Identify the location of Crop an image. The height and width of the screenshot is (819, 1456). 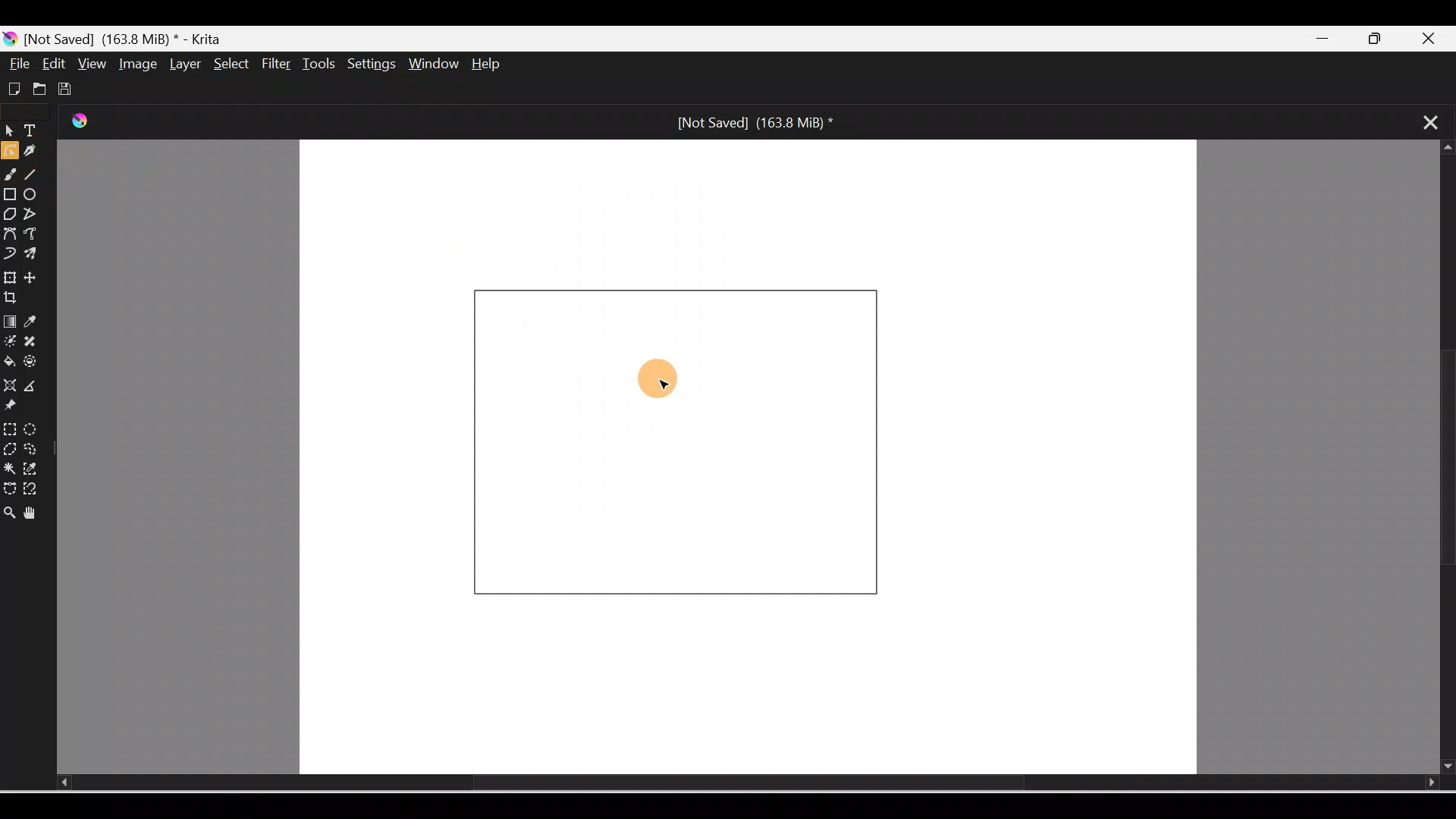
(17, 298).